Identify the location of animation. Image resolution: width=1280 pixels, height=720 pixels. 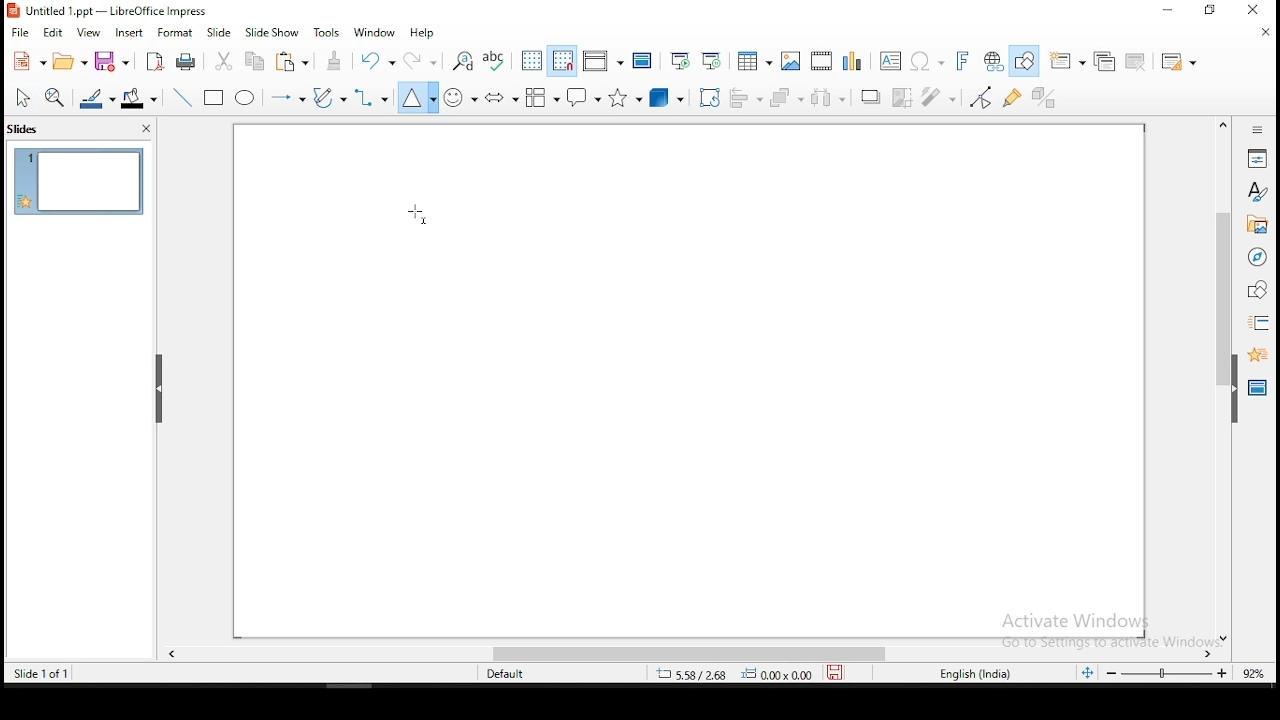
(1256, 355).